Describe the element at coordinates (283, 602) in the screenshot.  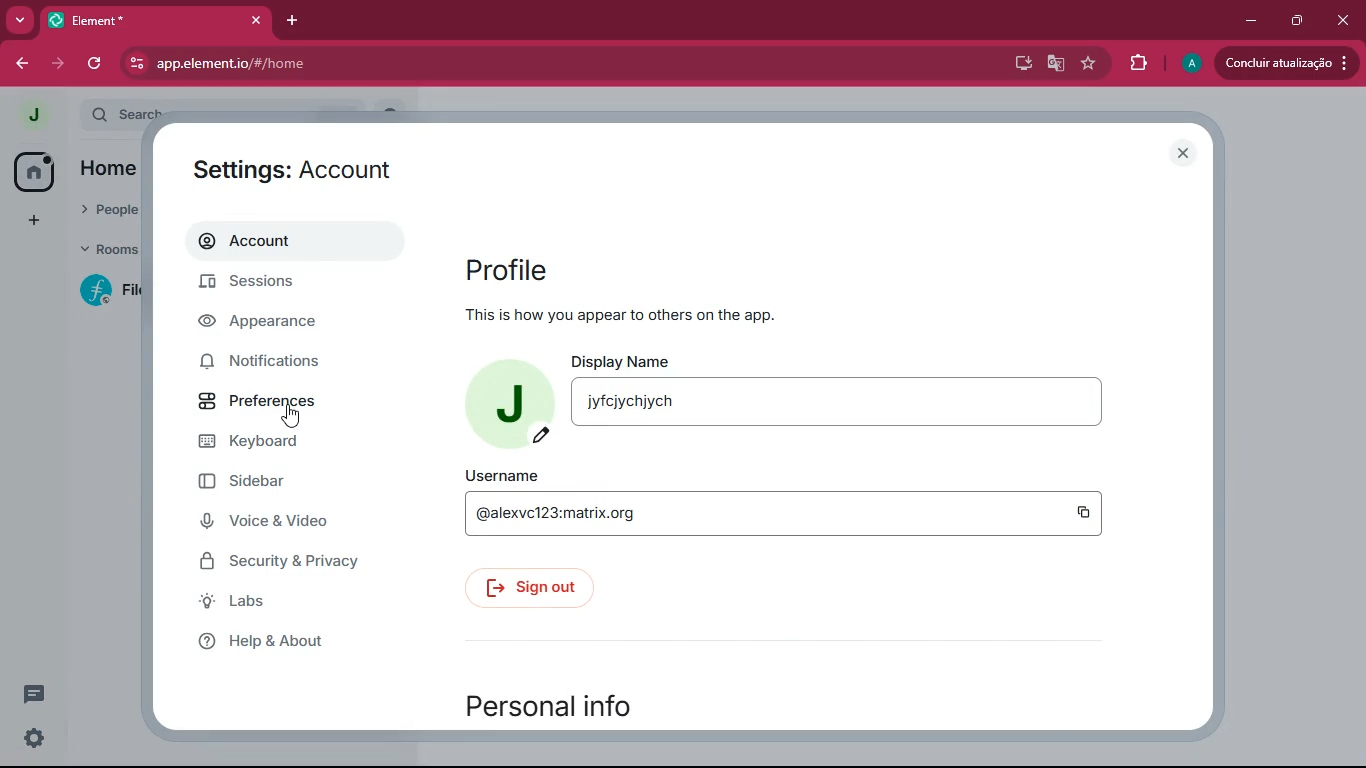
I see `labs` at that location.